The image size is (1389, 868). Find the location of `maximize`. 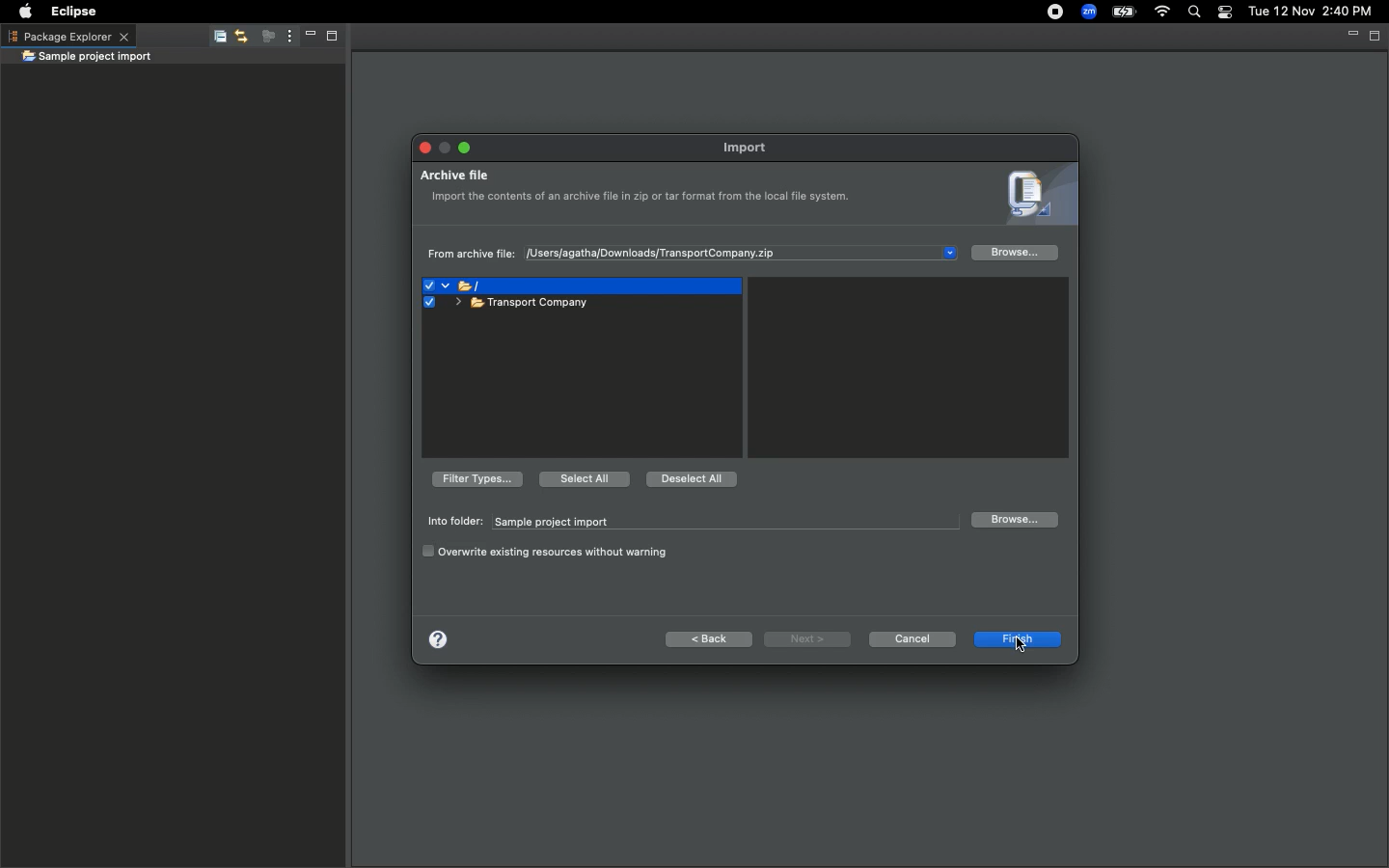

maximize is located at coordinates (464, 146).